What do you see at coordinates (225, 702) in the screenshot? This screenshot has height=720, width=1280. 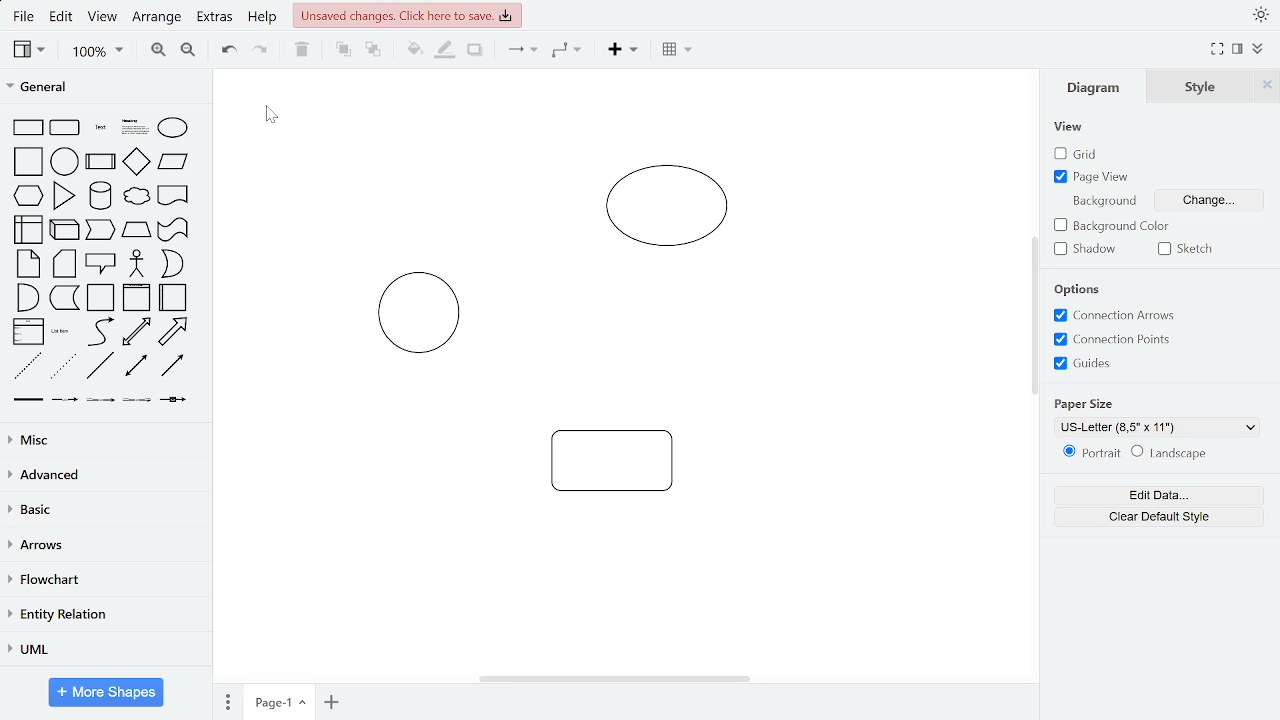 I see `pages` at bounding box center [225, 702].